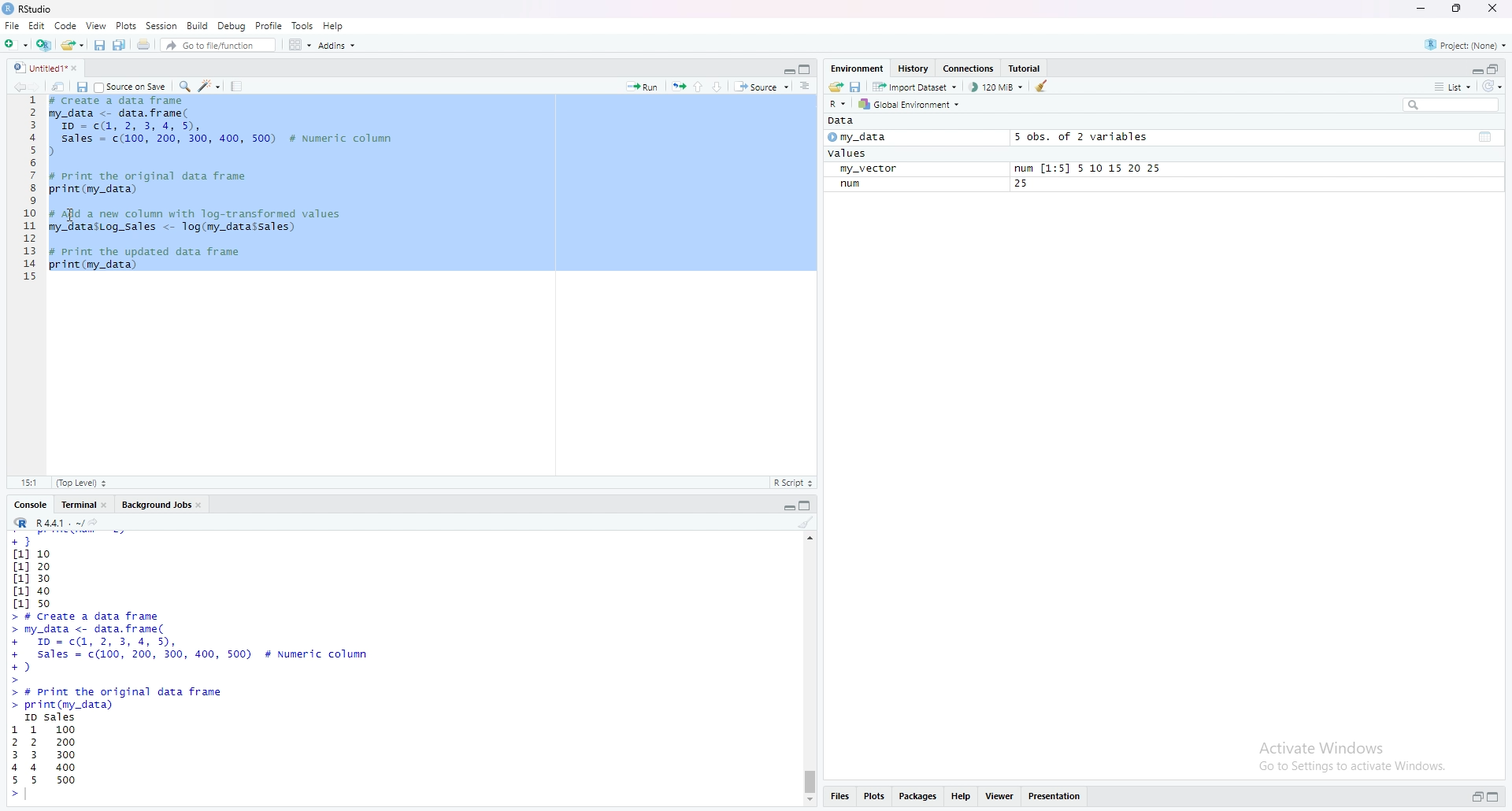  Describe the element at coordinates (165, 175) in the screenshot. I see `# Print the original frame` at that location.